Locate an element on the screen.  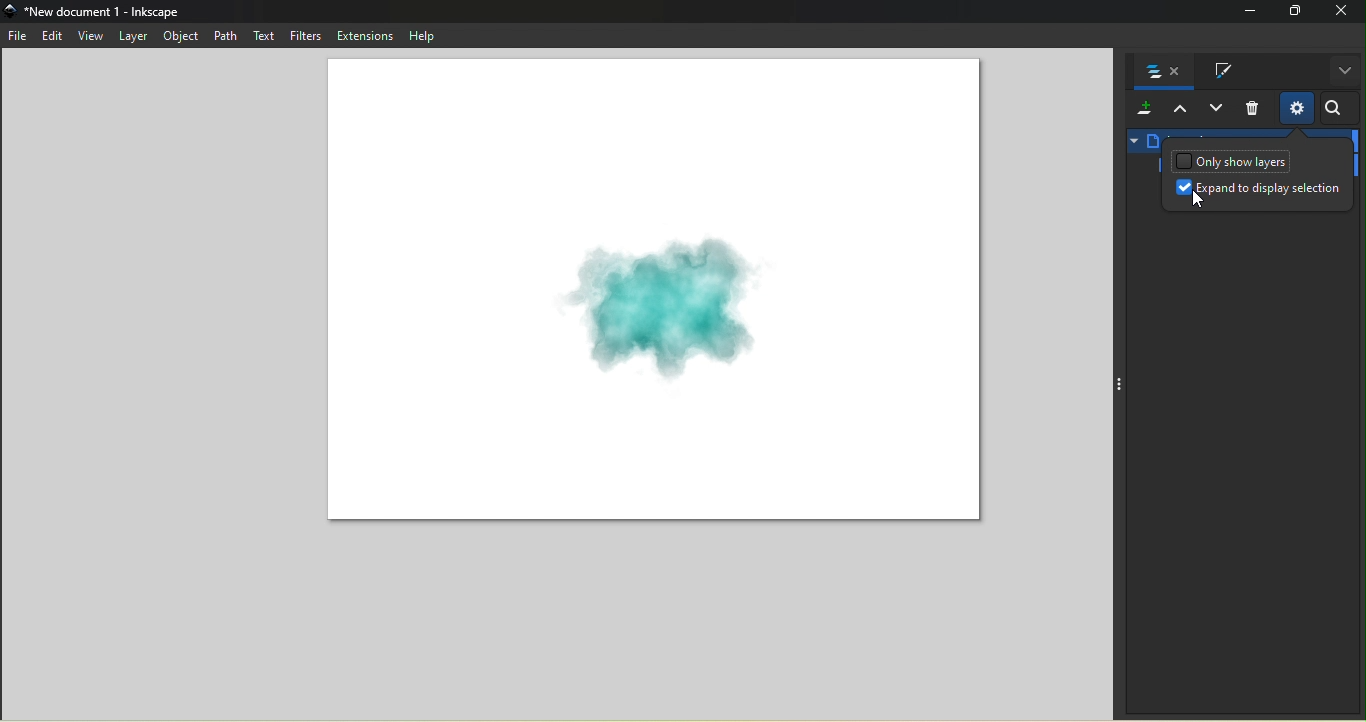
Filters is located at coordinates (305, 36).